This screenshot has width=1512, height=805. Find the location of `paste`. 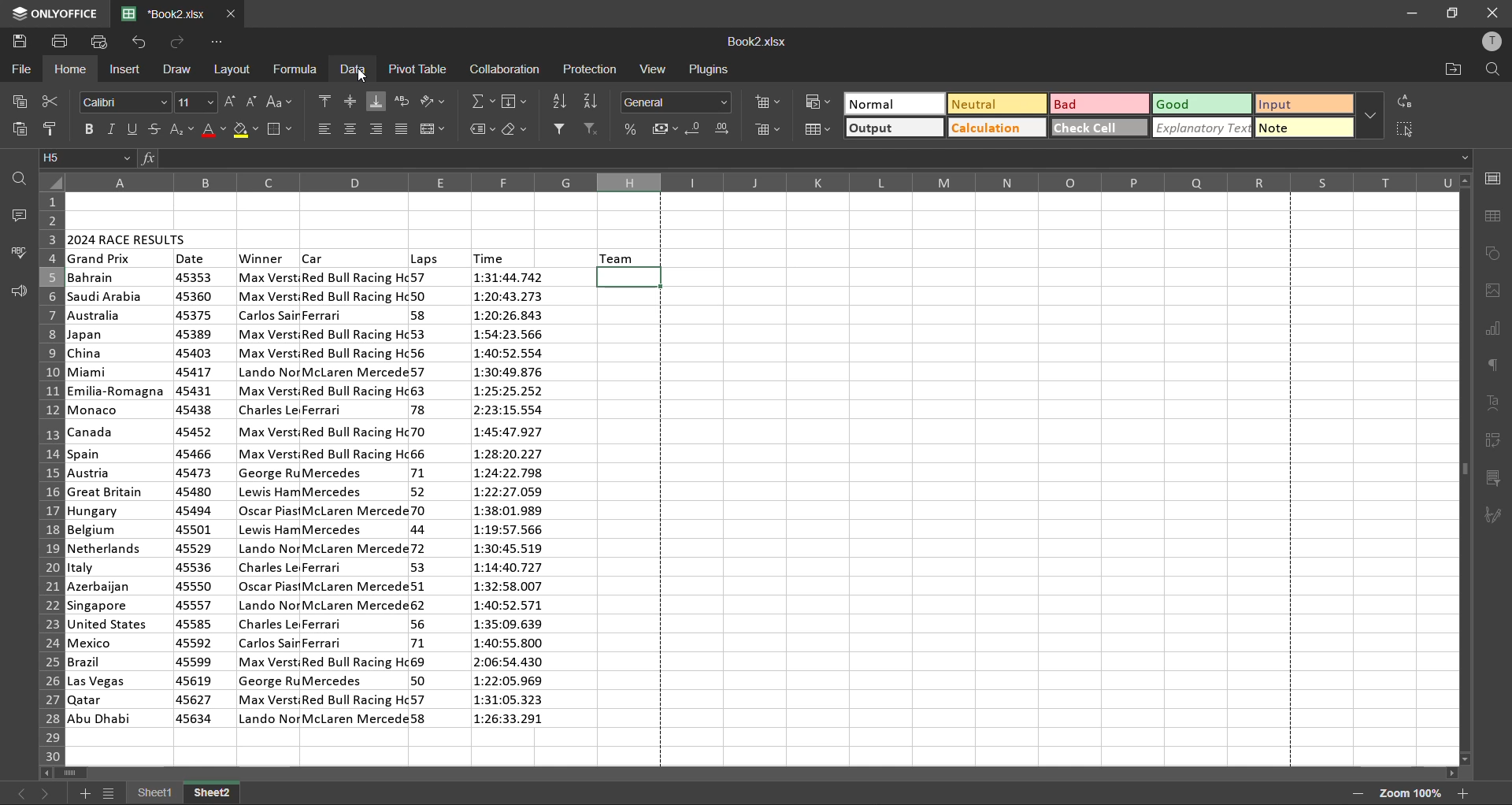

paste is located at coordinates (21, 128).